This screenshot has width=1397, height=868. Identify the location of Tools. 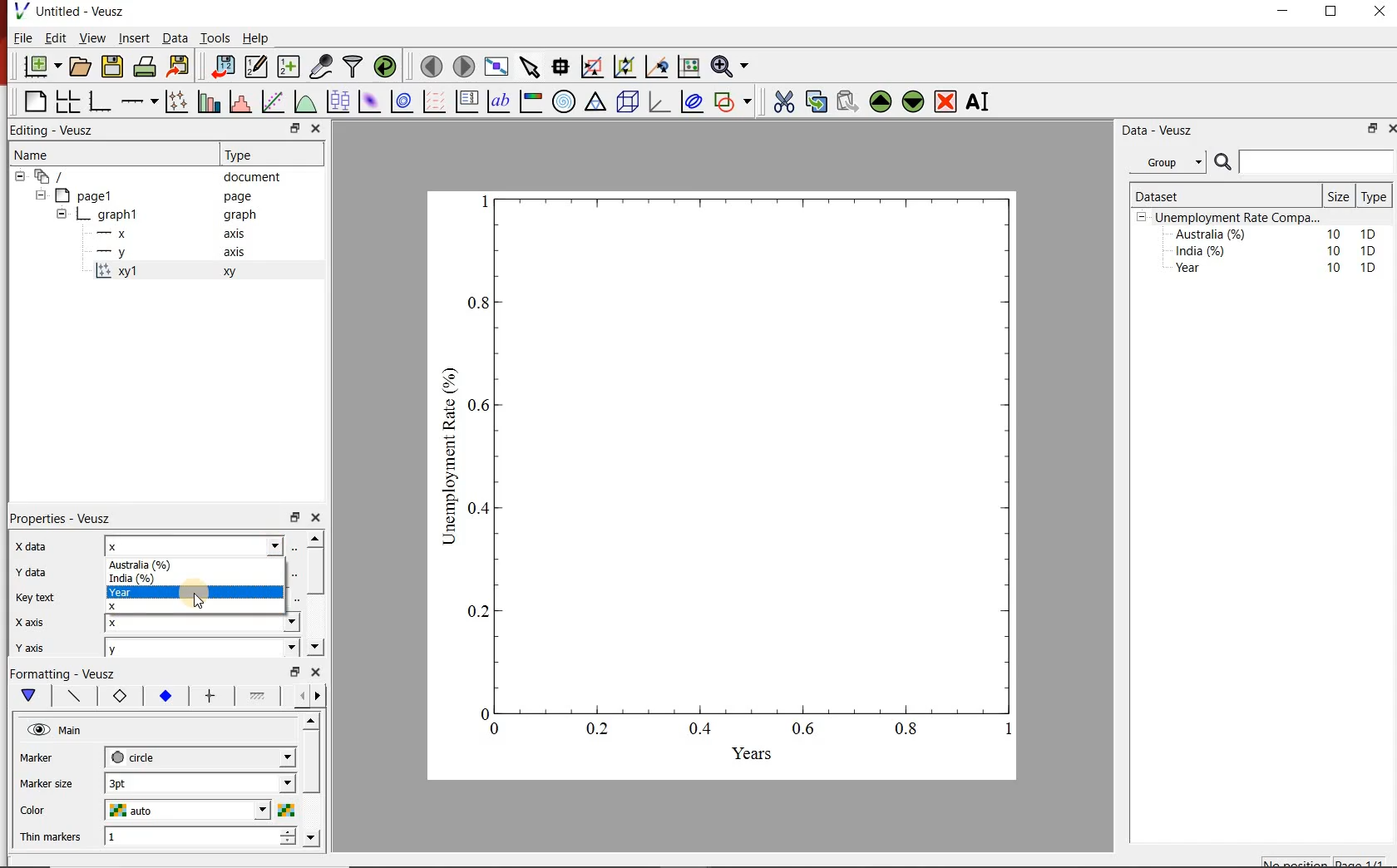
(216, 37).